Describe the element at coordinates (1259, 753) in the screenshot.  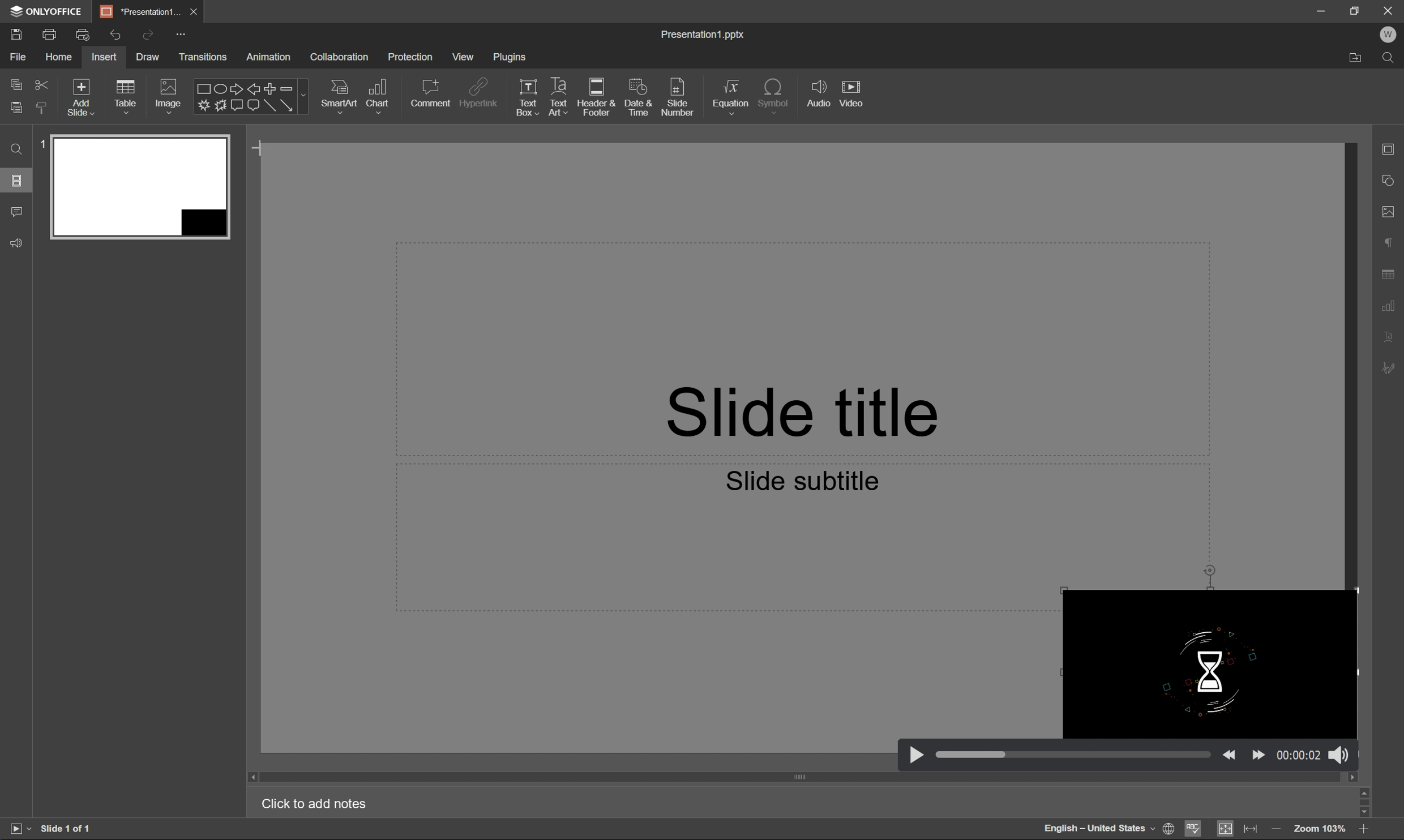
I see `move forward` at that location.